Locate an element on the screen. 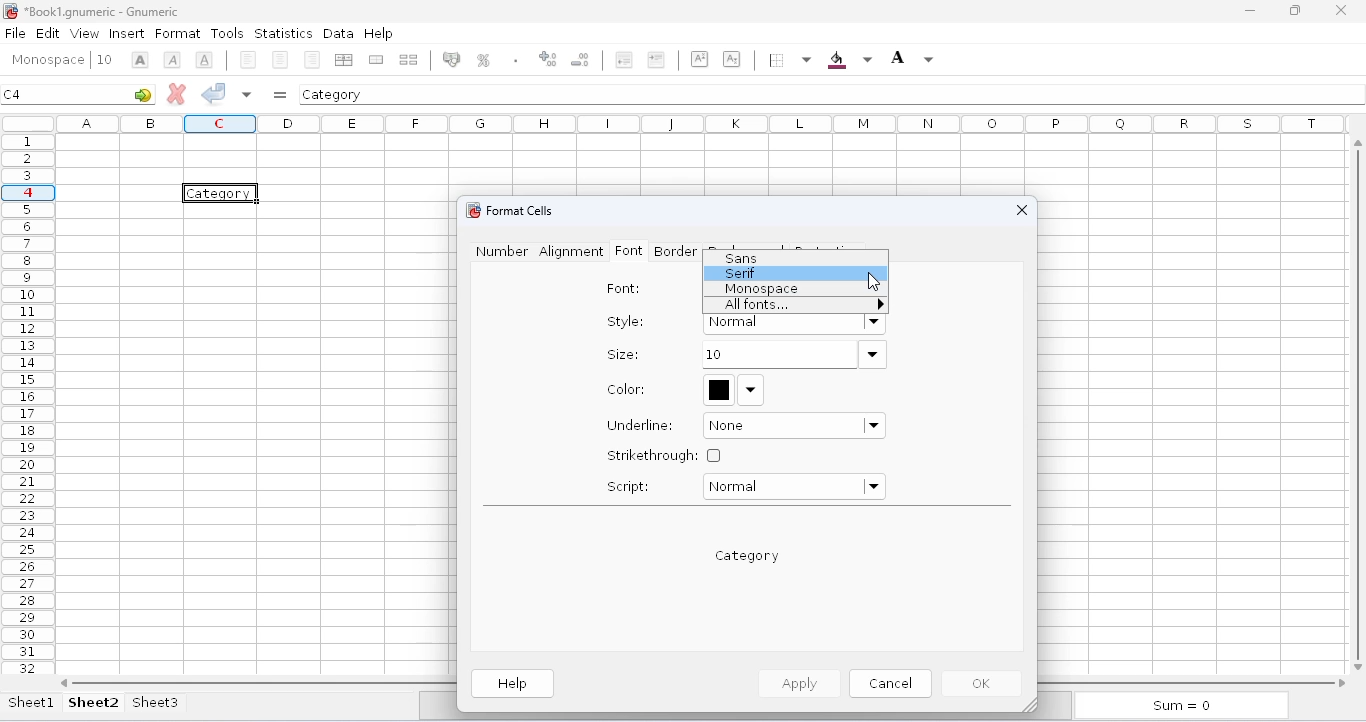 Image resolution: width=1366 pixels, height=722 pixels. edit is located at coordinates (48, 32).